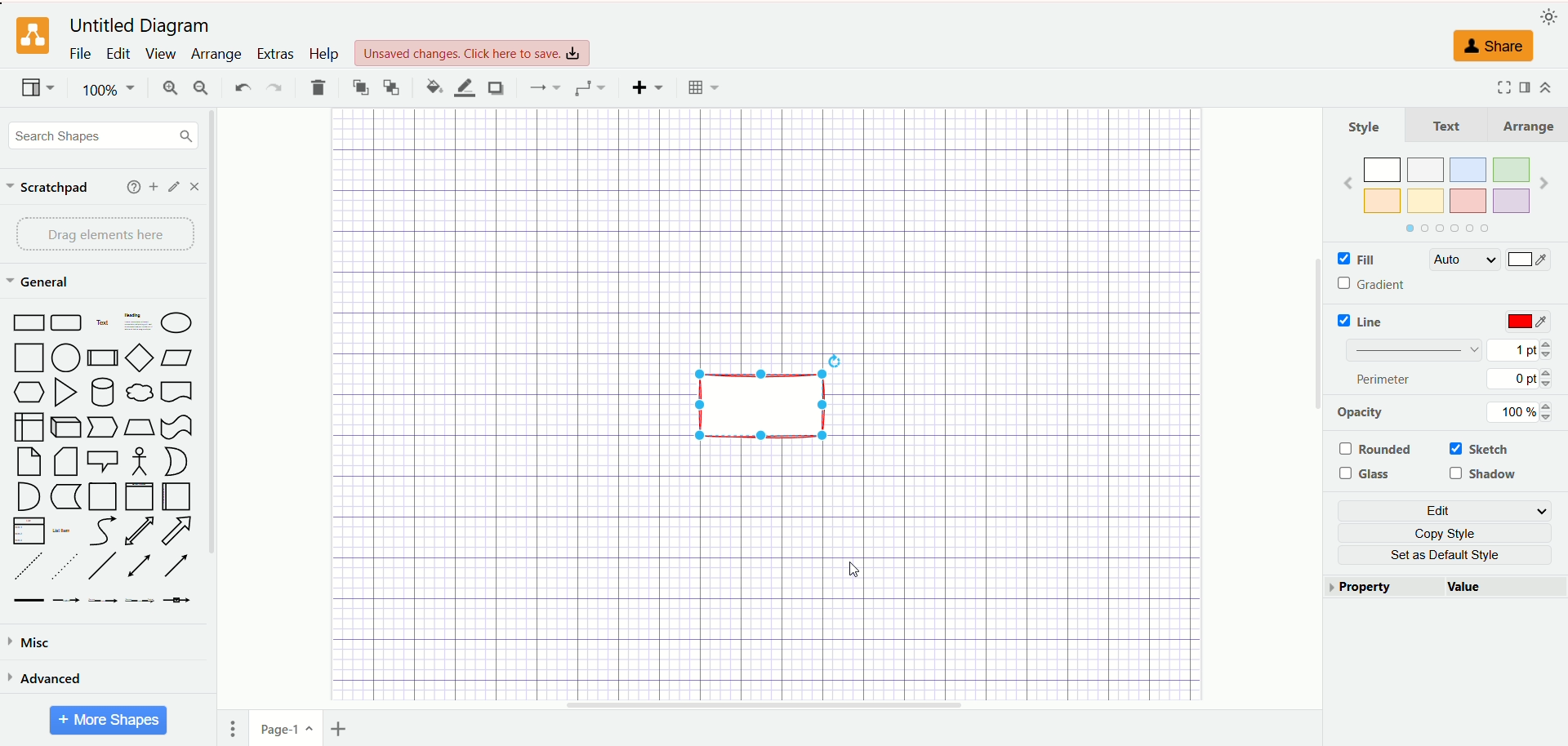 The height and width of the screenshot is (746, 1568). Describe the element at coordinates (1363, 321) in the screenshot. I see `line` at that location.